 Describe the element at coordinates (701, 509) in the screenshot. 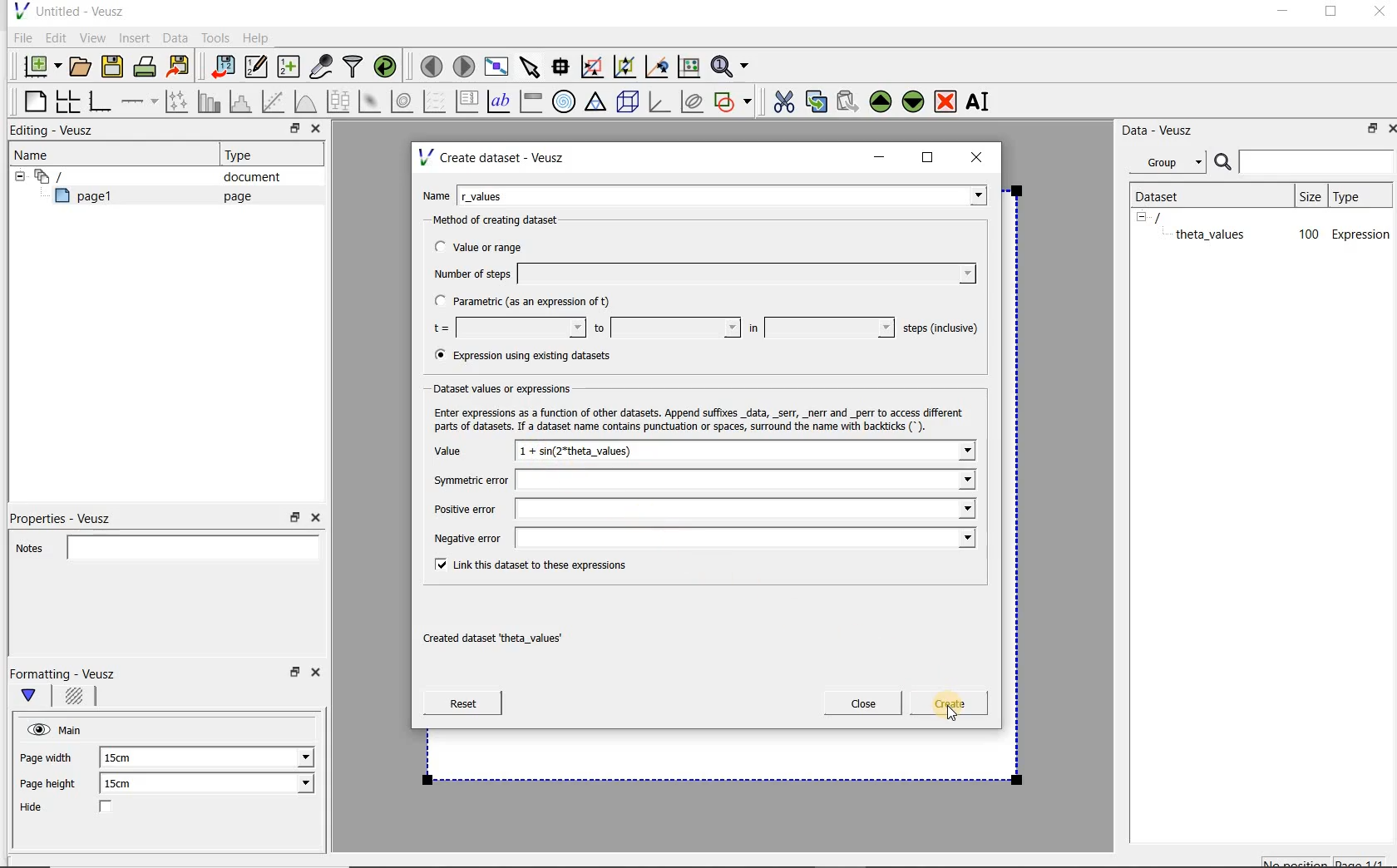

I see `Positive error` at that location.